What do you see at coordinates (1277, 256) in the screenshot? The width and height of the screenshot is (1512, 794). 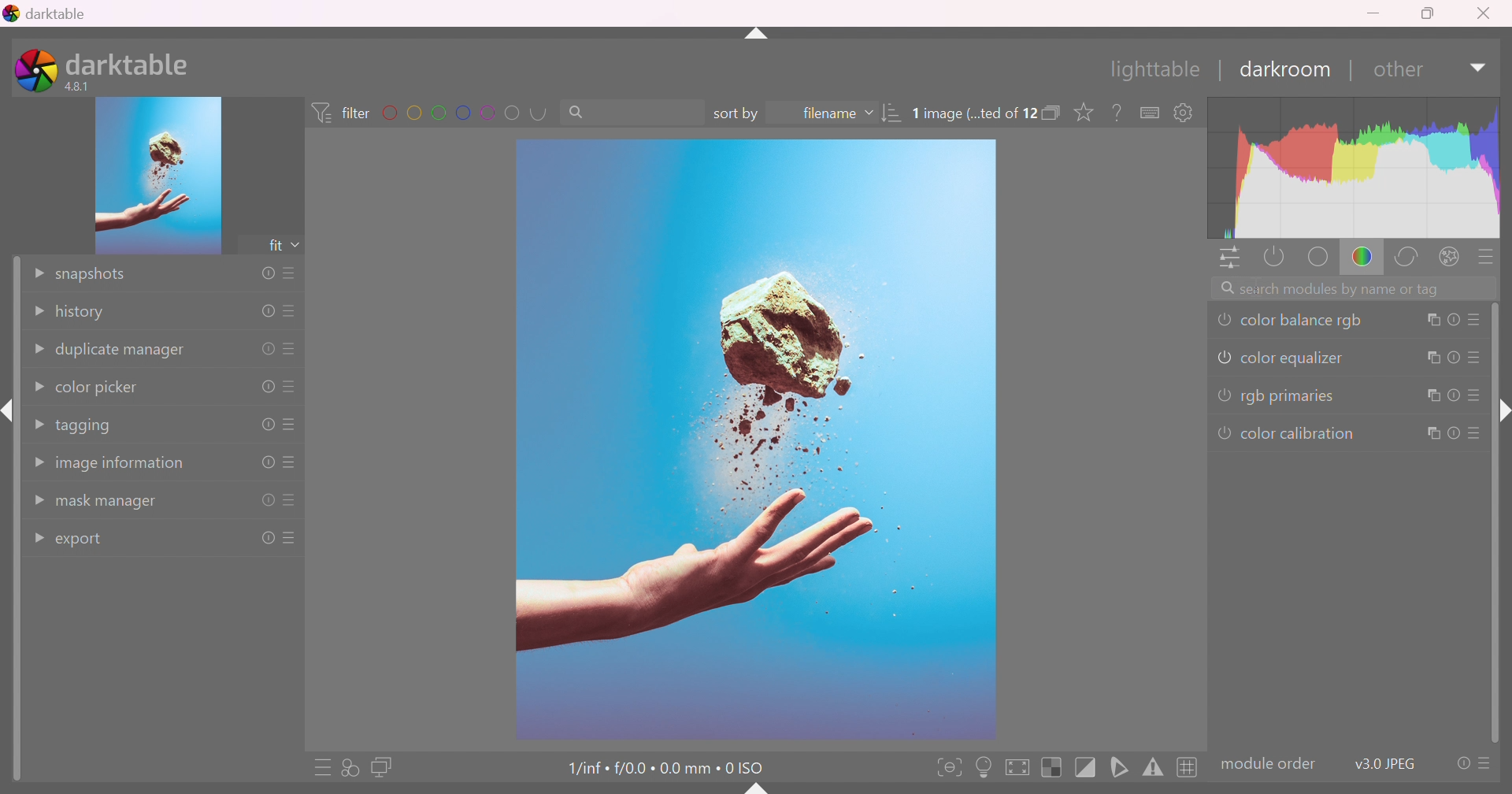 I see `show only active modules` at bounding box center [1277, 256].